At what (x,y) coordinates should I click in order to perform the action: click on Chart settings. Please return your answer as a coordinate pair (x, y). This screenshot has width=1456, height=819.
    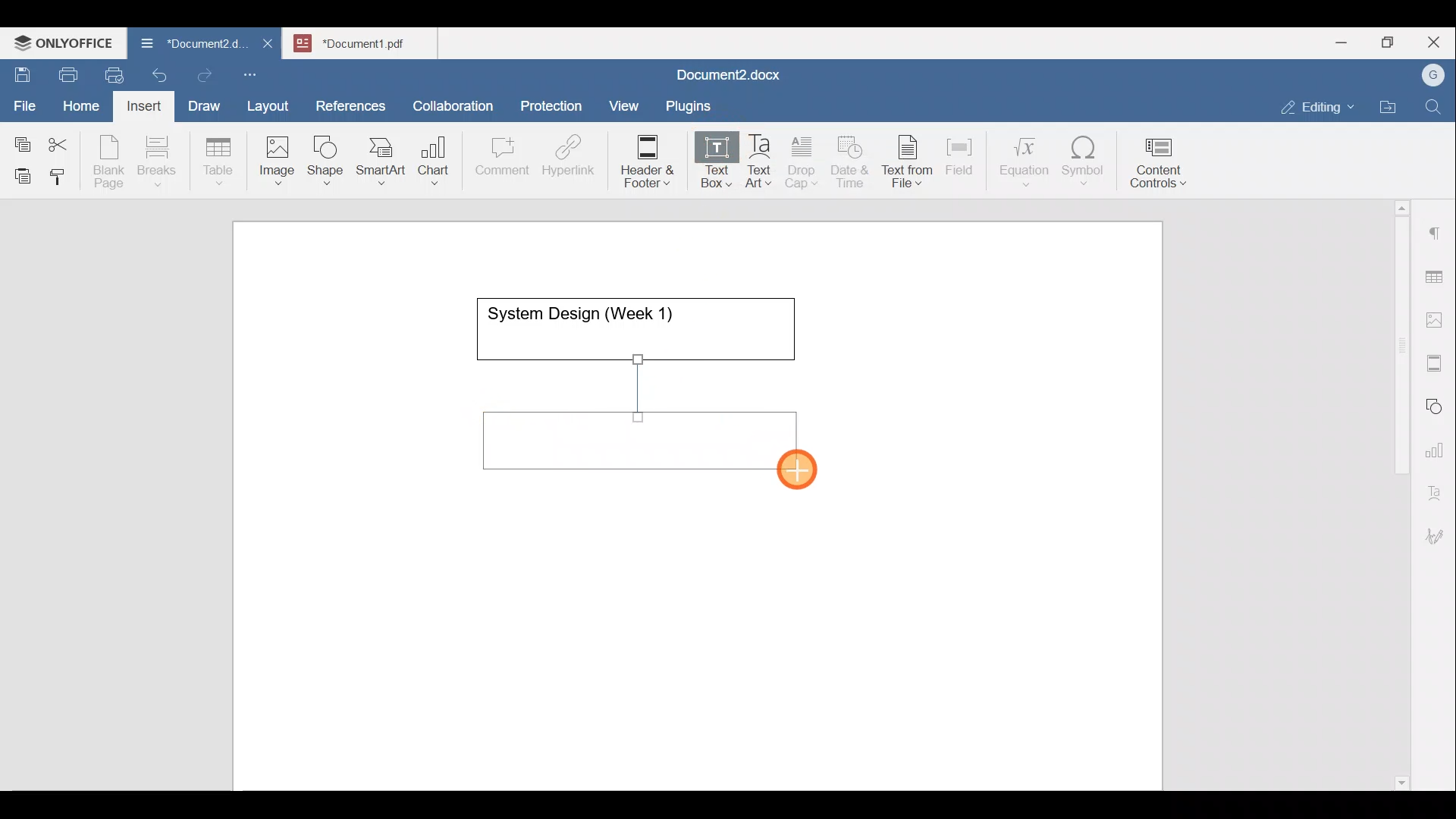
    Looking at the image, I should click on (1438, 444).